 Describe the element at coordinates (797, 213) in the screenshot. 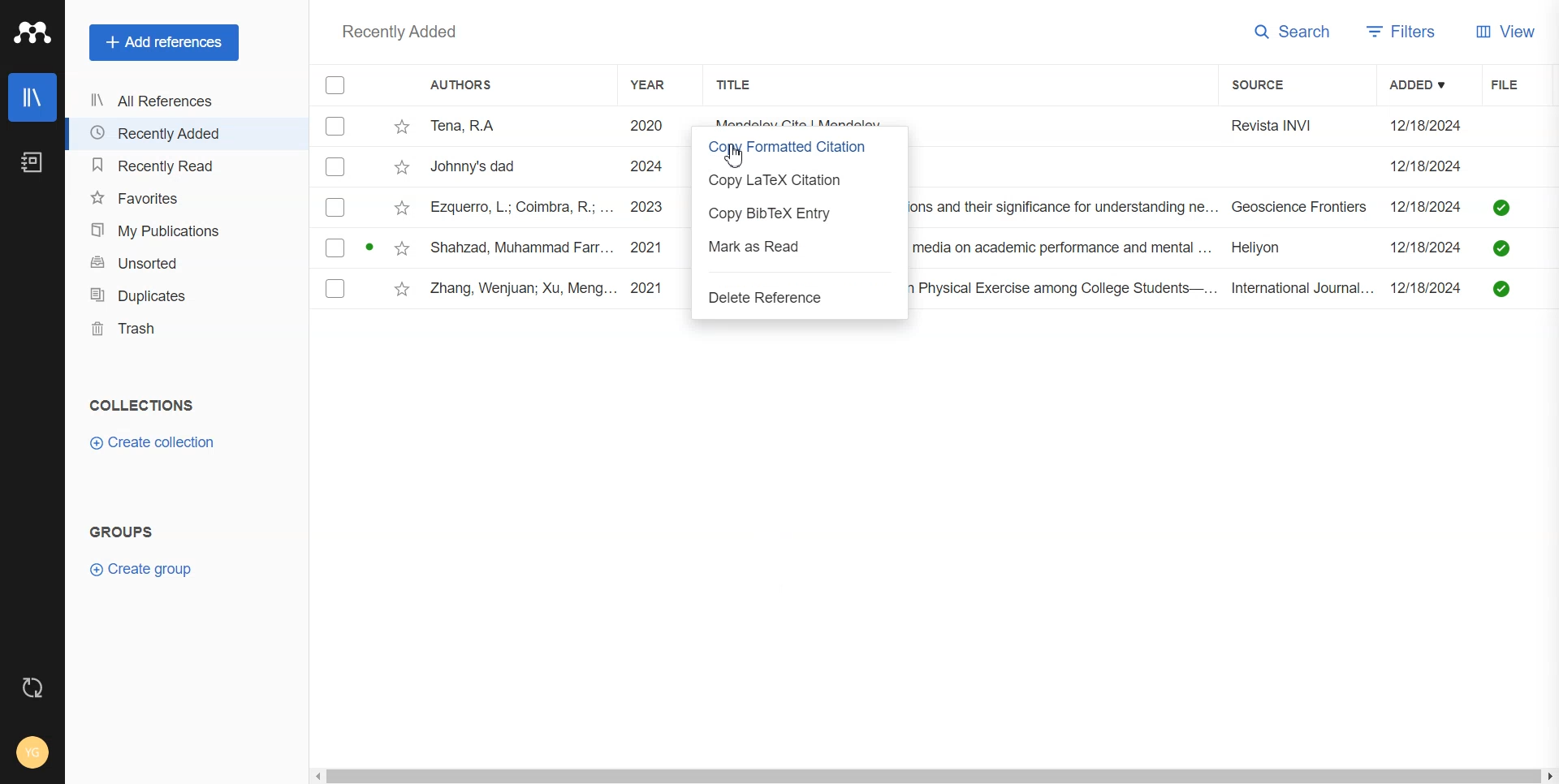

I see `Copy BibTex Entry` at that location.